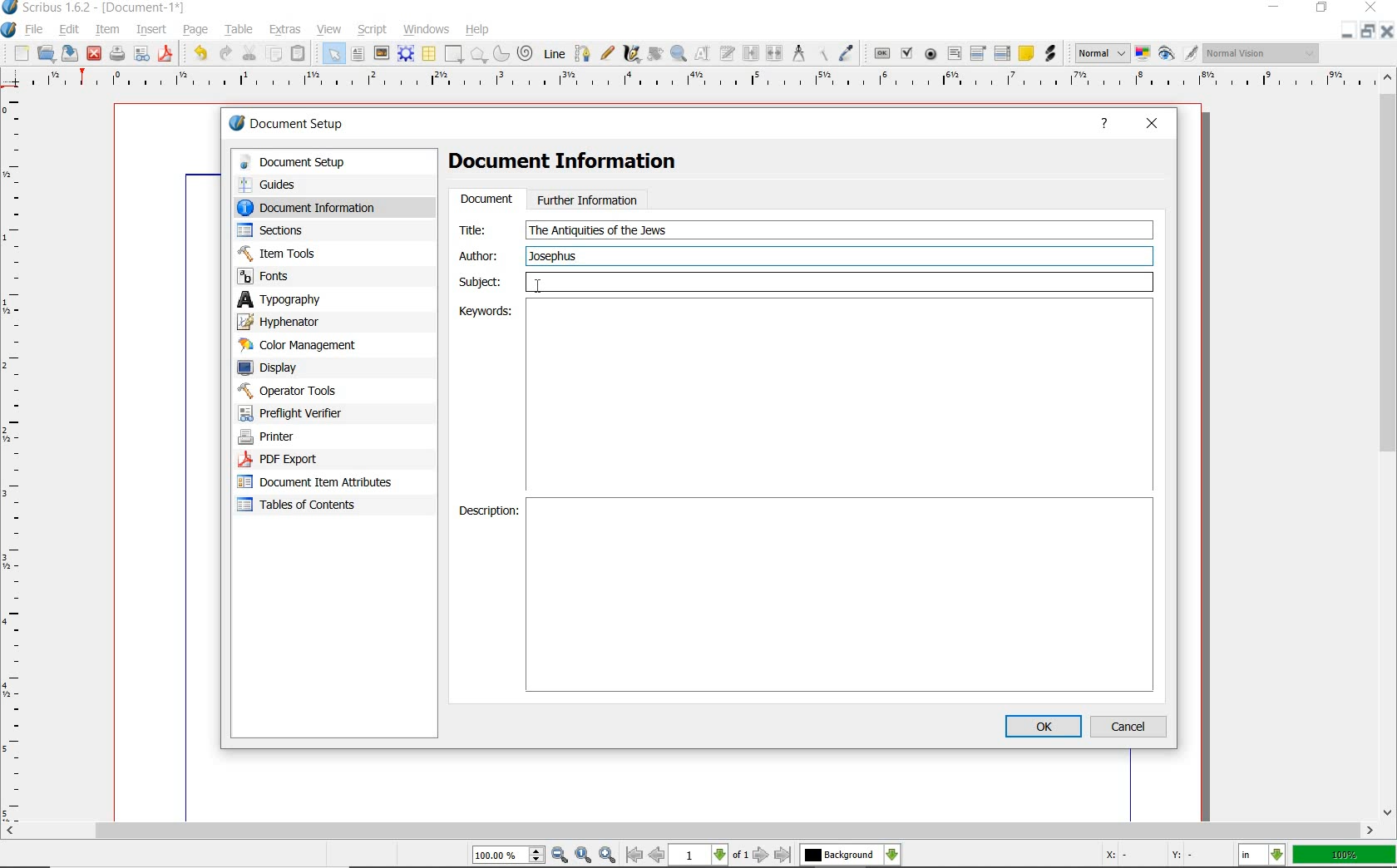 This screenshot has width=1397, height=868. Describe the element at coordinates (288, 123) in the screenshot. I see `document setup` at that location.